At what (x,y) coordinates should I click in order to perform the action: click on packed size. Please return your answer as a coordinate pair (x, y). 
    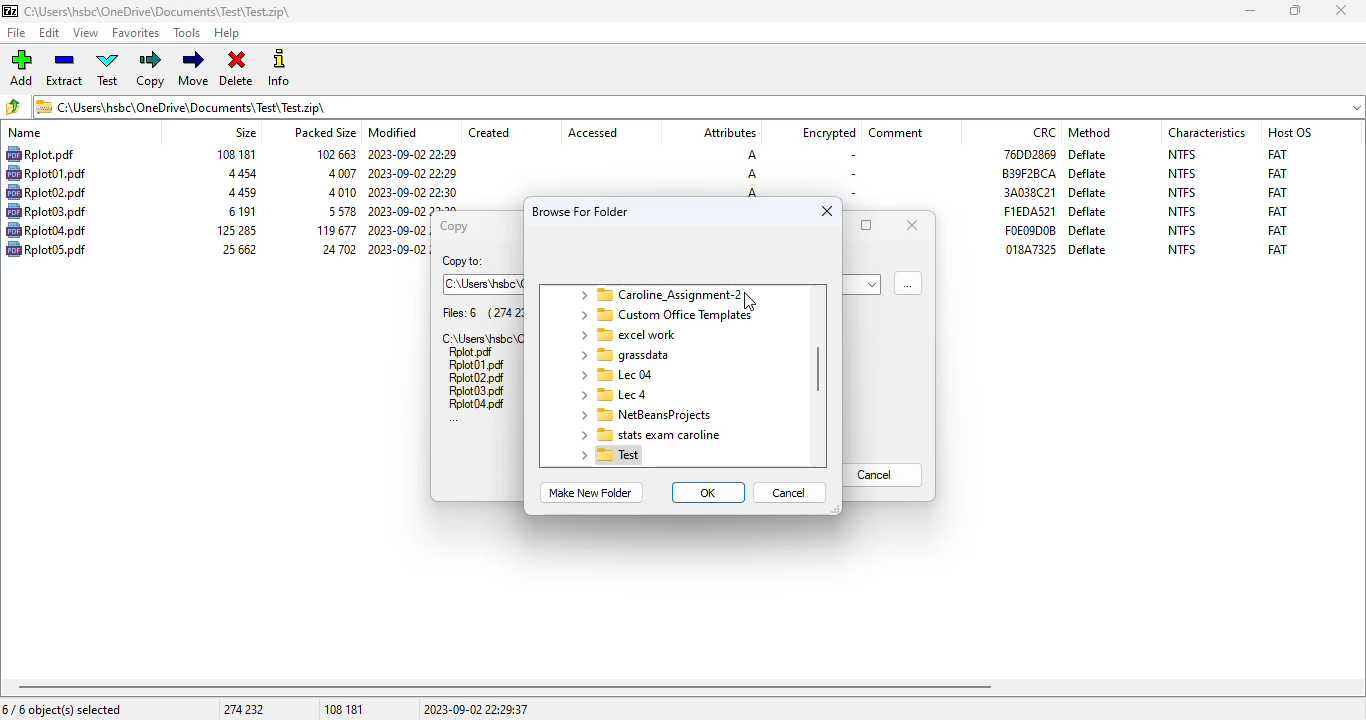
    Looking at the image, I should click on (340, 192).